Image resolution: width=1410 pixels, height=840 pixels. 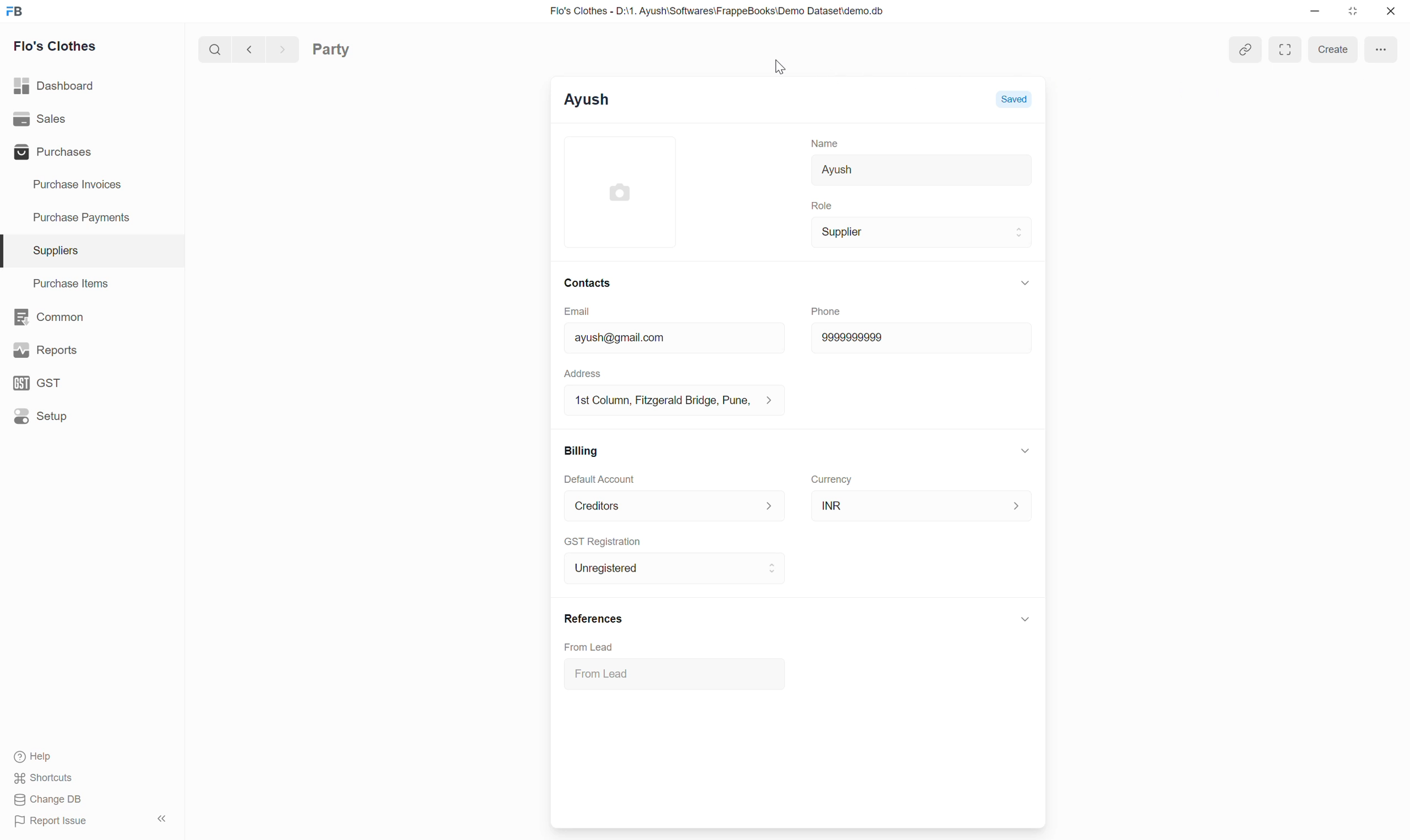 What do you see at coordinates (249, 49) in the screenshot?
I see `Previous` at bounding box center [249, 49].